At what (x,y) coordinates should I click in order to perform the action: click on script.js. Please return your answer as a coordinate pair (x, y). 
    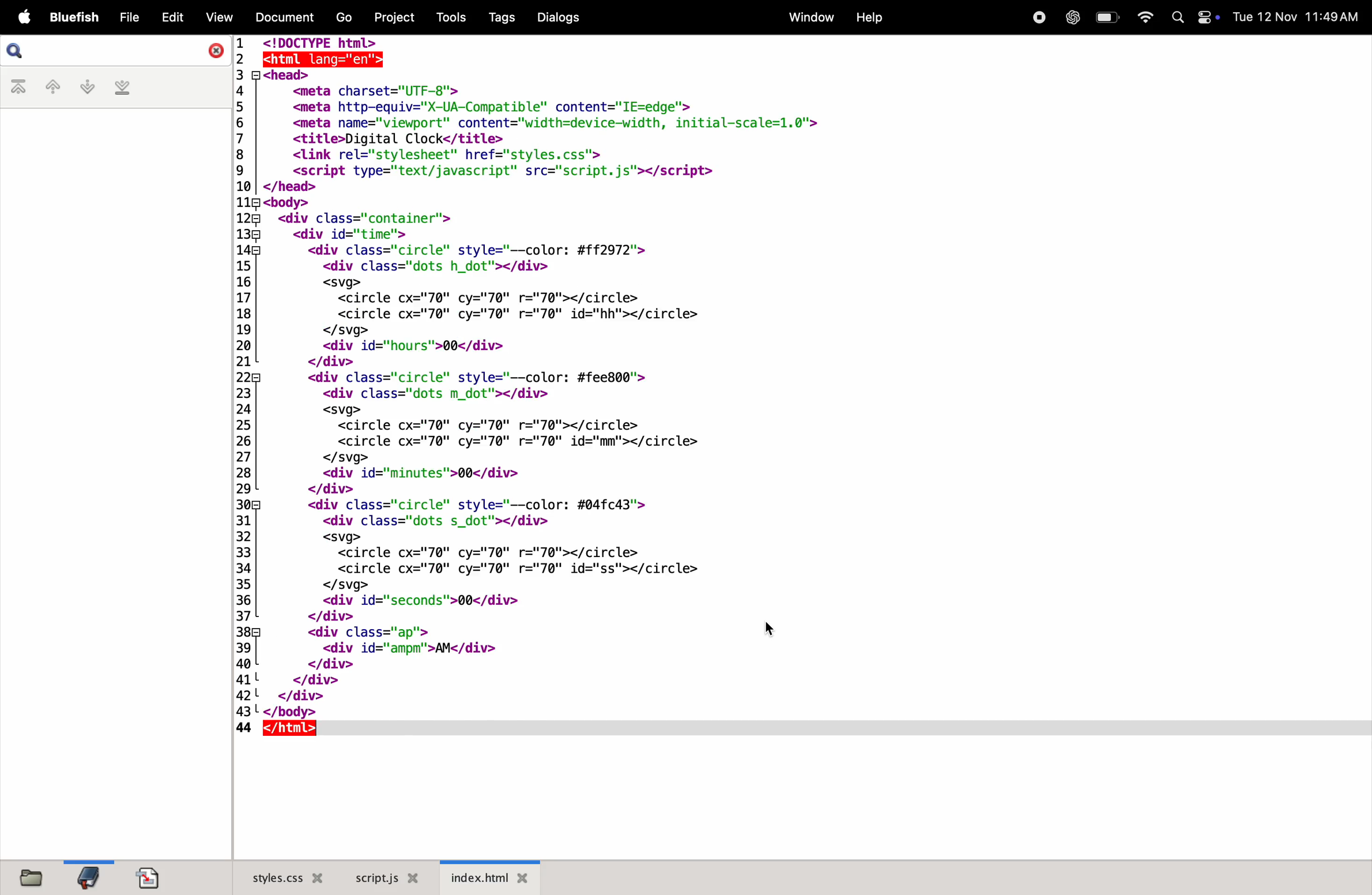
    Looking at the image, I should click on (387, 878).